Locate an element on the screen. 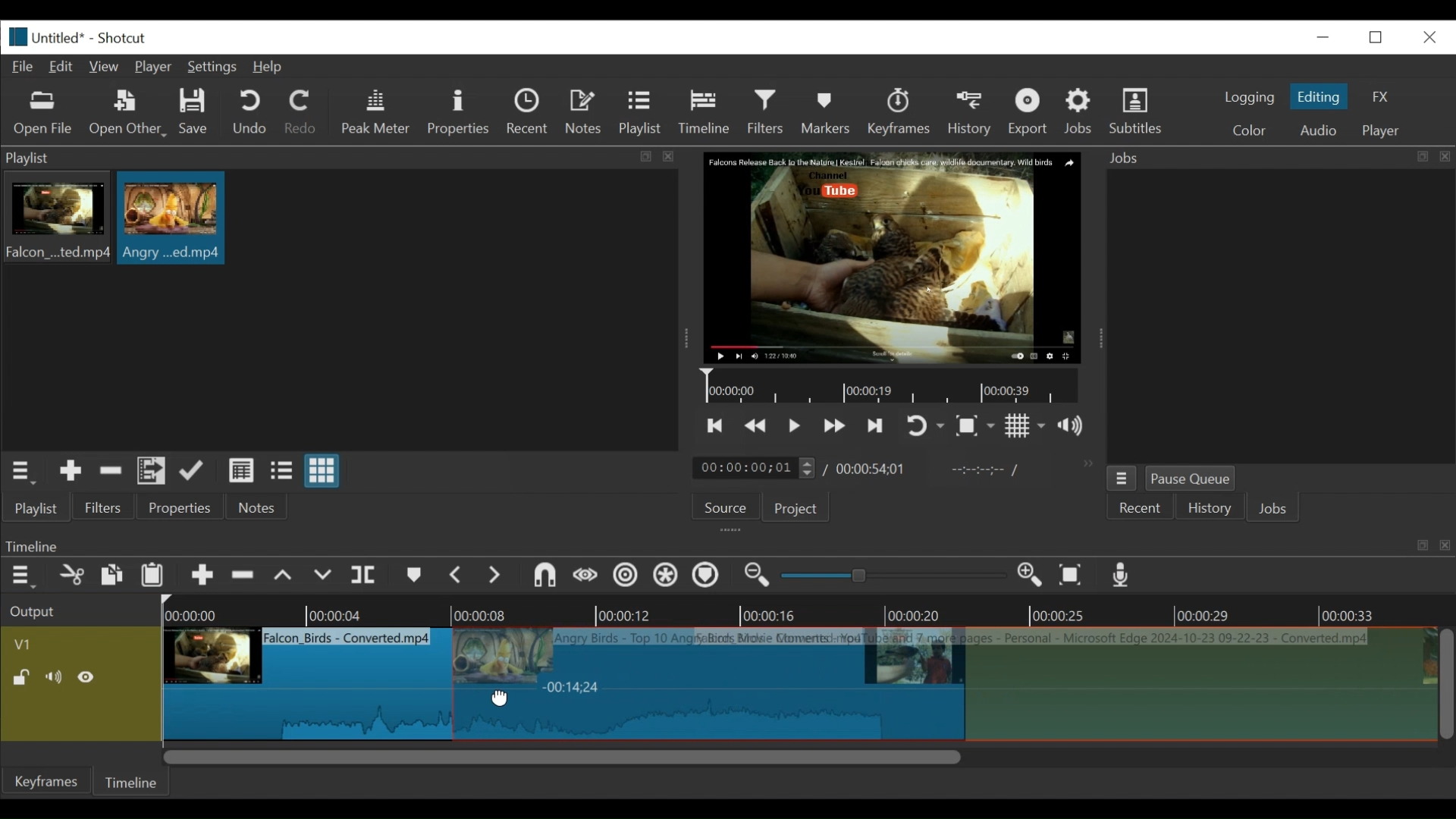 The image size is (1456, 819). Timeline is located at coordinates (708, 109).